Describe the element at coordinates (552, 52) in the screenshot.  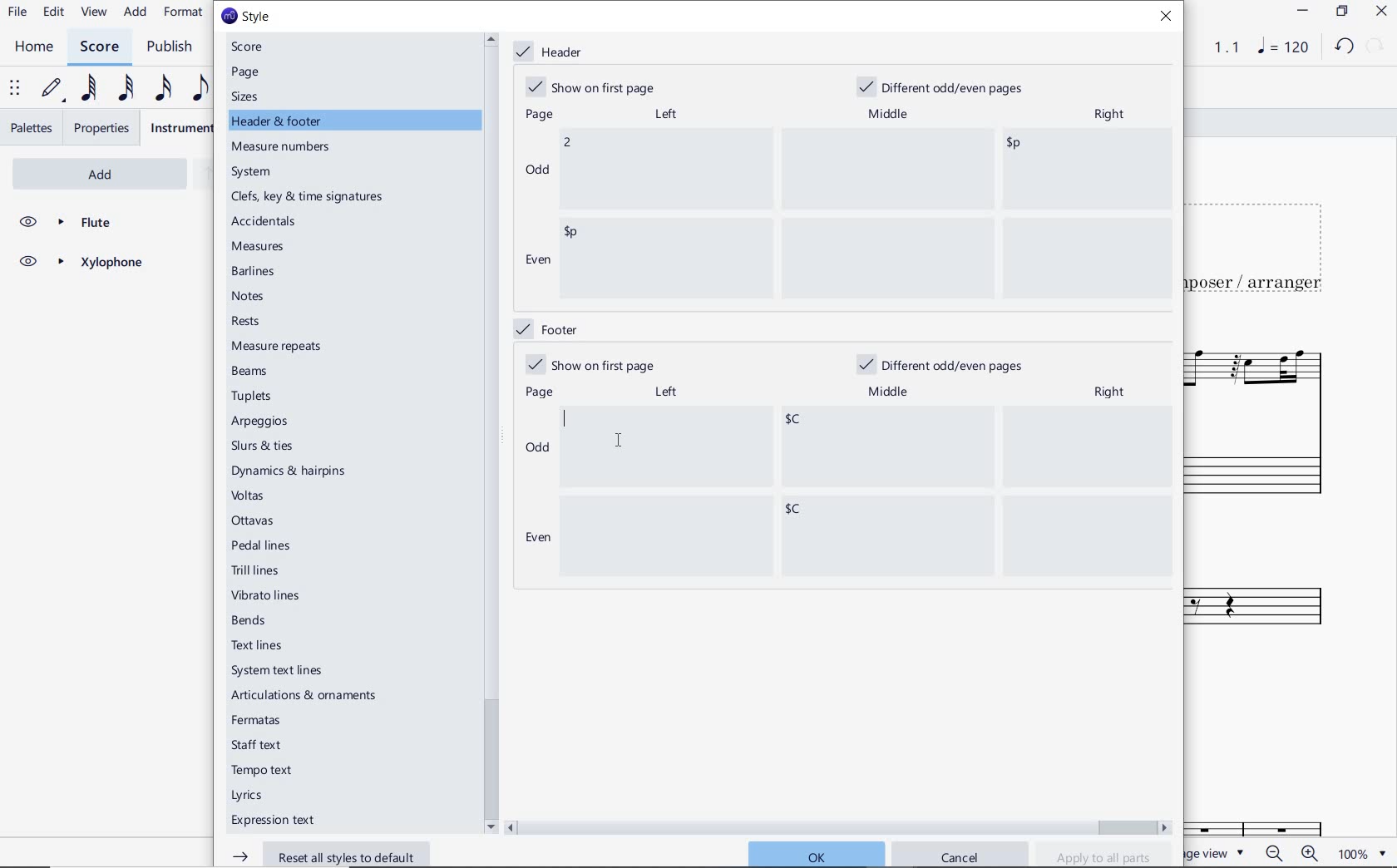
I see `header marked` at that location.